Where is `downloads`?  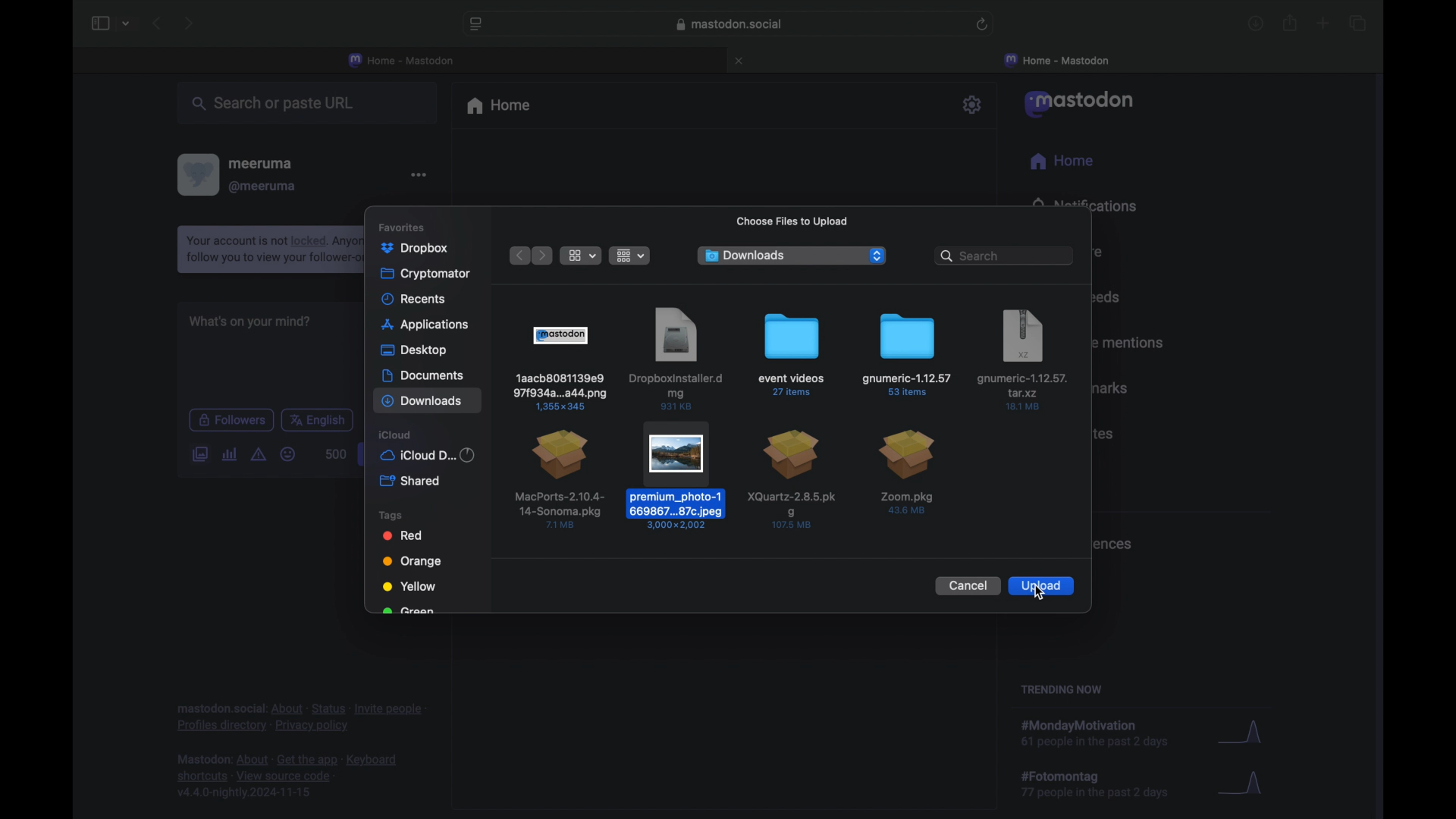
downloads is located at coordinates (745, 256).